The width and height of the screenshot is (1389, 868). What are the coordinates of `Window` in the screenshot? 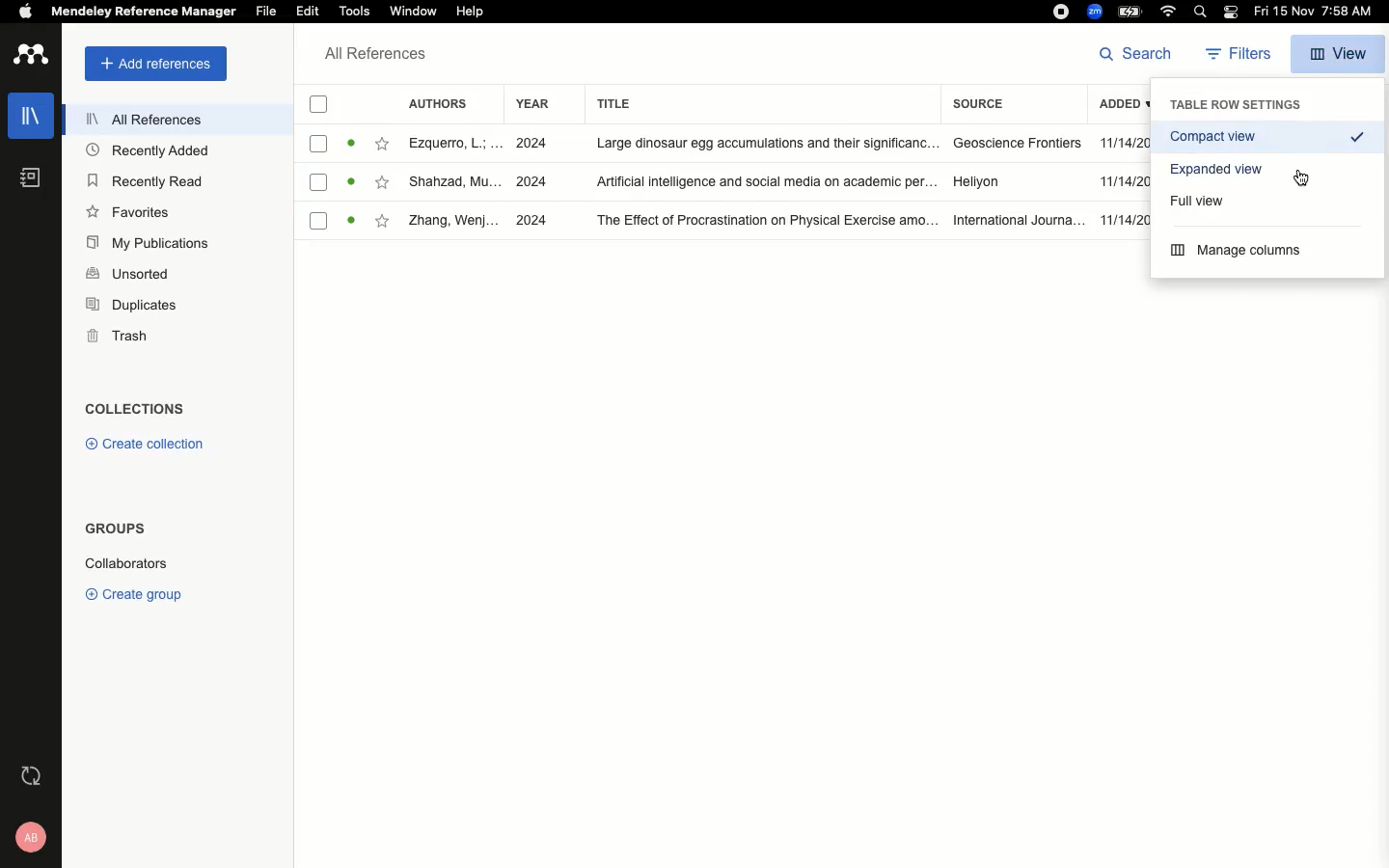 It's located at (416, 13).